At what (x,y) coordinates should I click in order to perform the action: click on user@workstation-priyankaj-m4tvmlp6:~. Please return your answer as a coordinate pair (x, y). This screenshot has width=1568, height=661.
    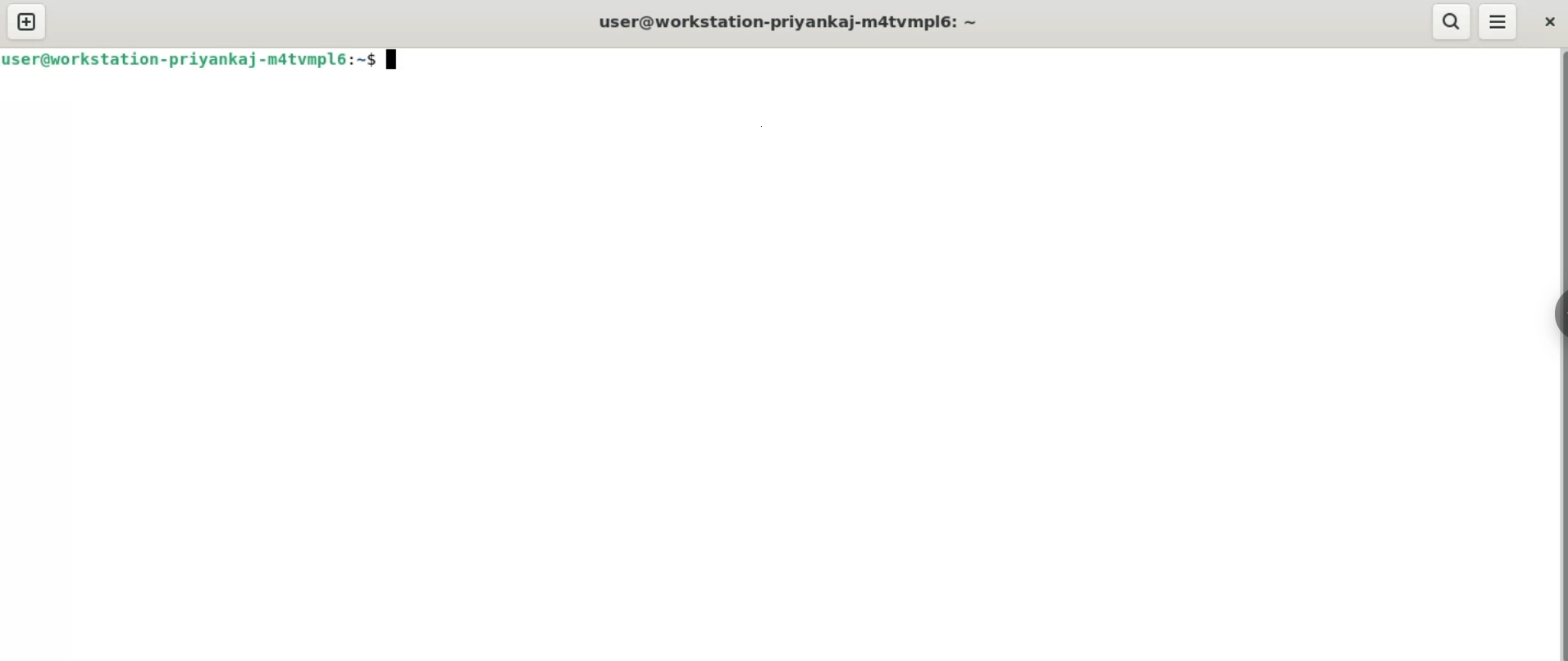
    Looking at the image, I should click on (789, 21).